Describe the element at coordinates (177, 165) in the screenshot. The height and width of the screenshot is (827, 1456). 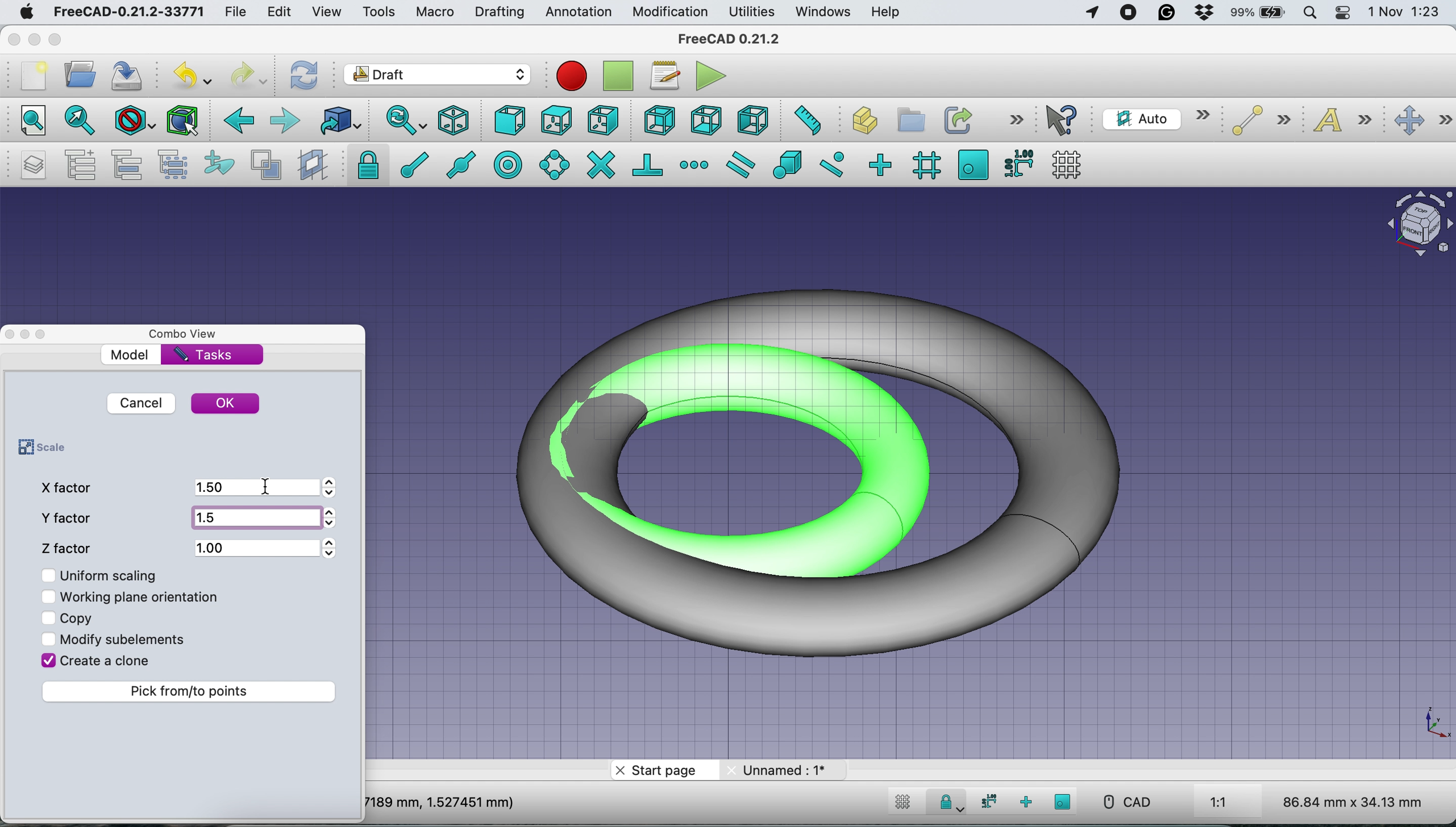
I see `select group` at that location.